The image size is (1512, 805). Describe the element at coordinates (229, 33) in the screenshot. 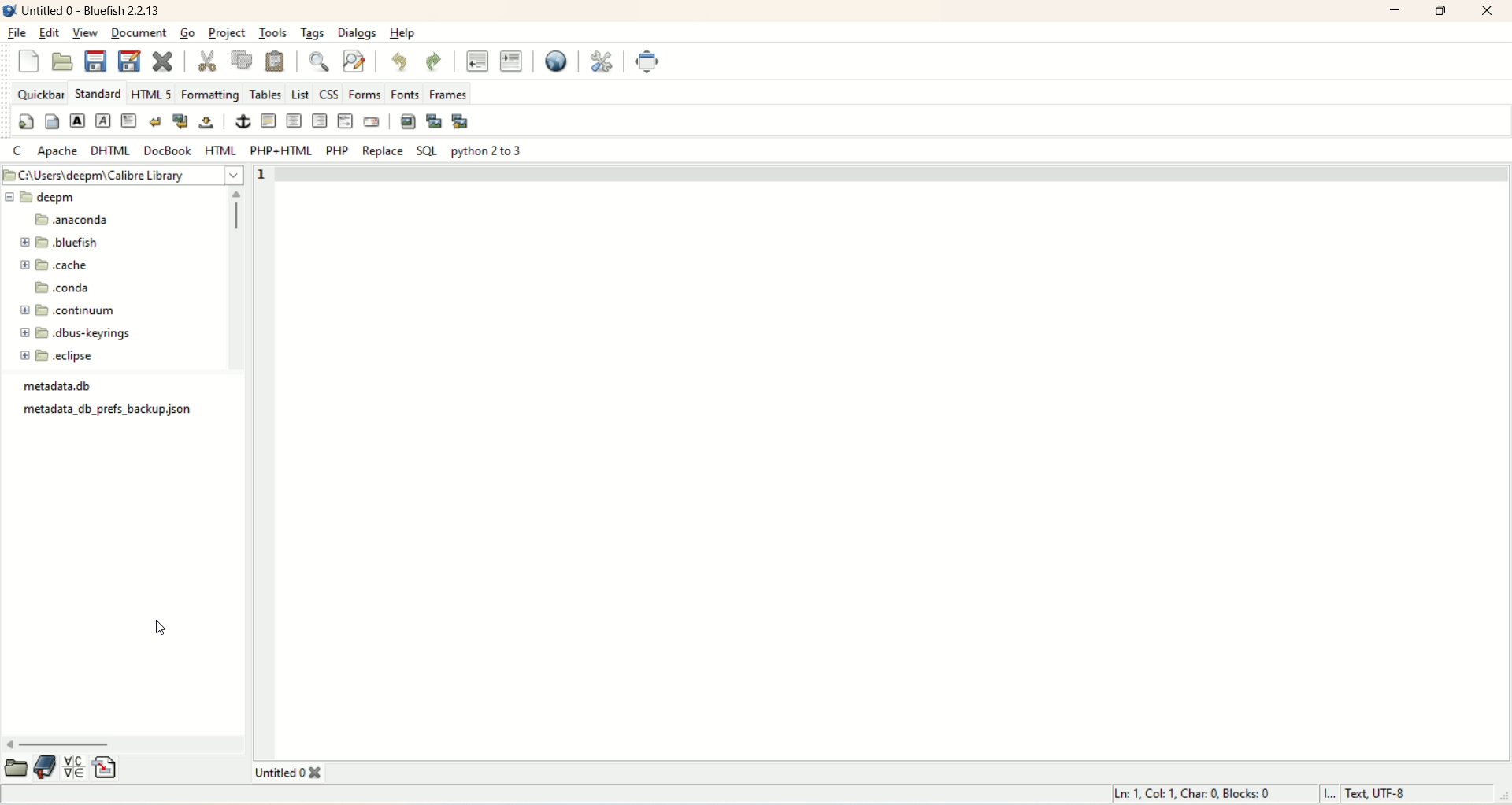

I see `project` at that location.